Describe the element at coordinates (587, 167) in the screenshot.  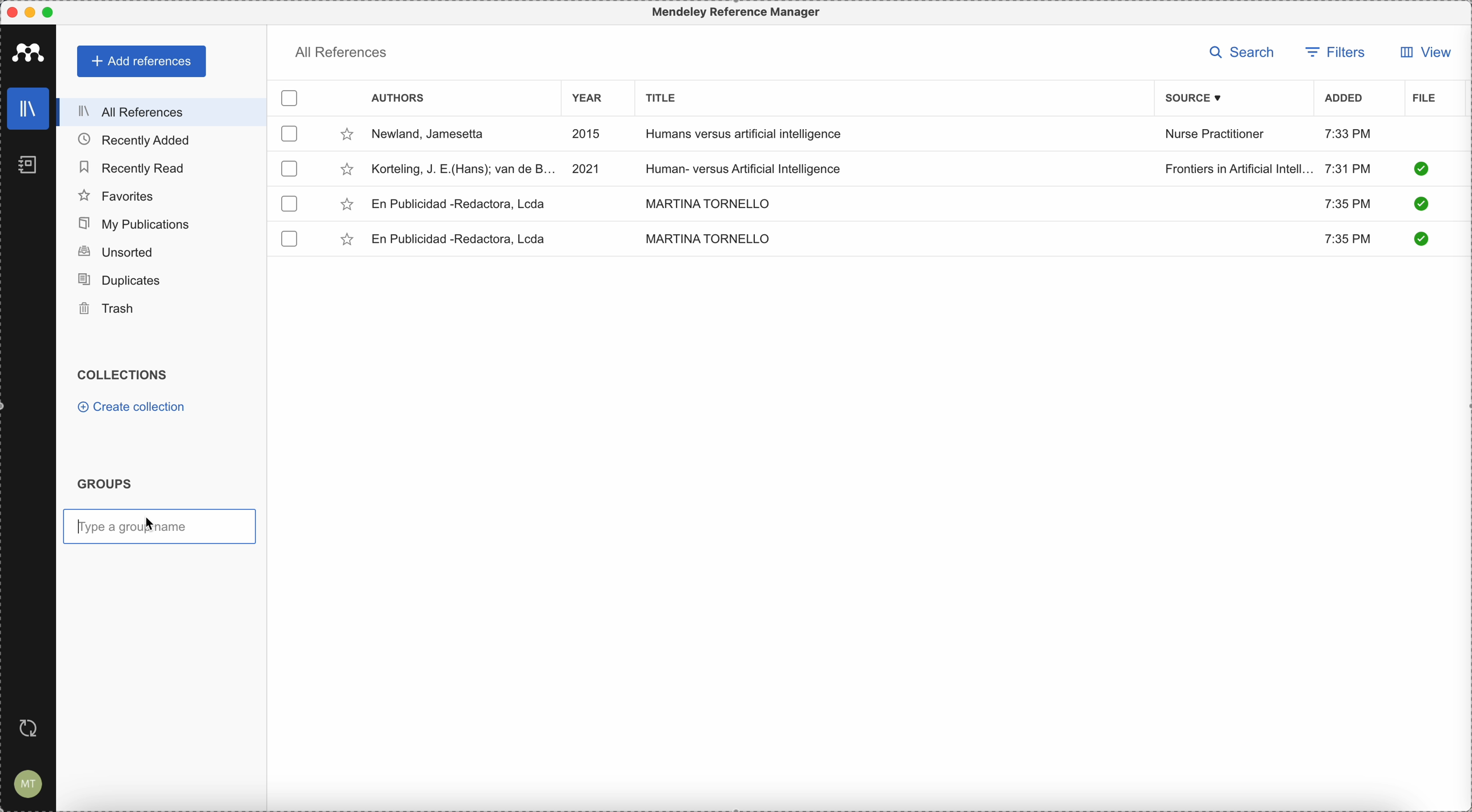
I see `2021` at that location.